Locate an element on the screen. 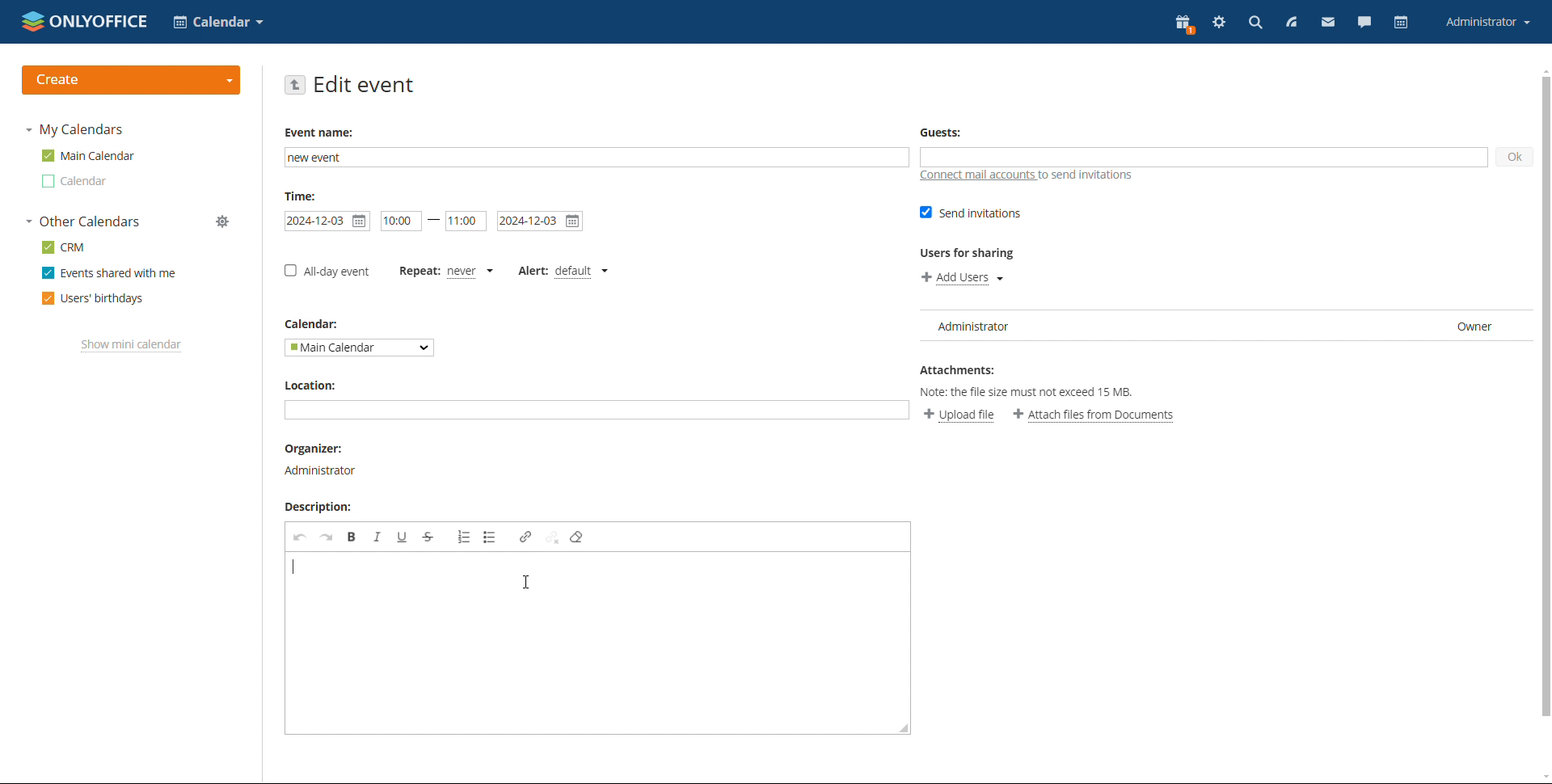 This screenshot has width=1552, height=784. go back is located at coordinates (296, 85).